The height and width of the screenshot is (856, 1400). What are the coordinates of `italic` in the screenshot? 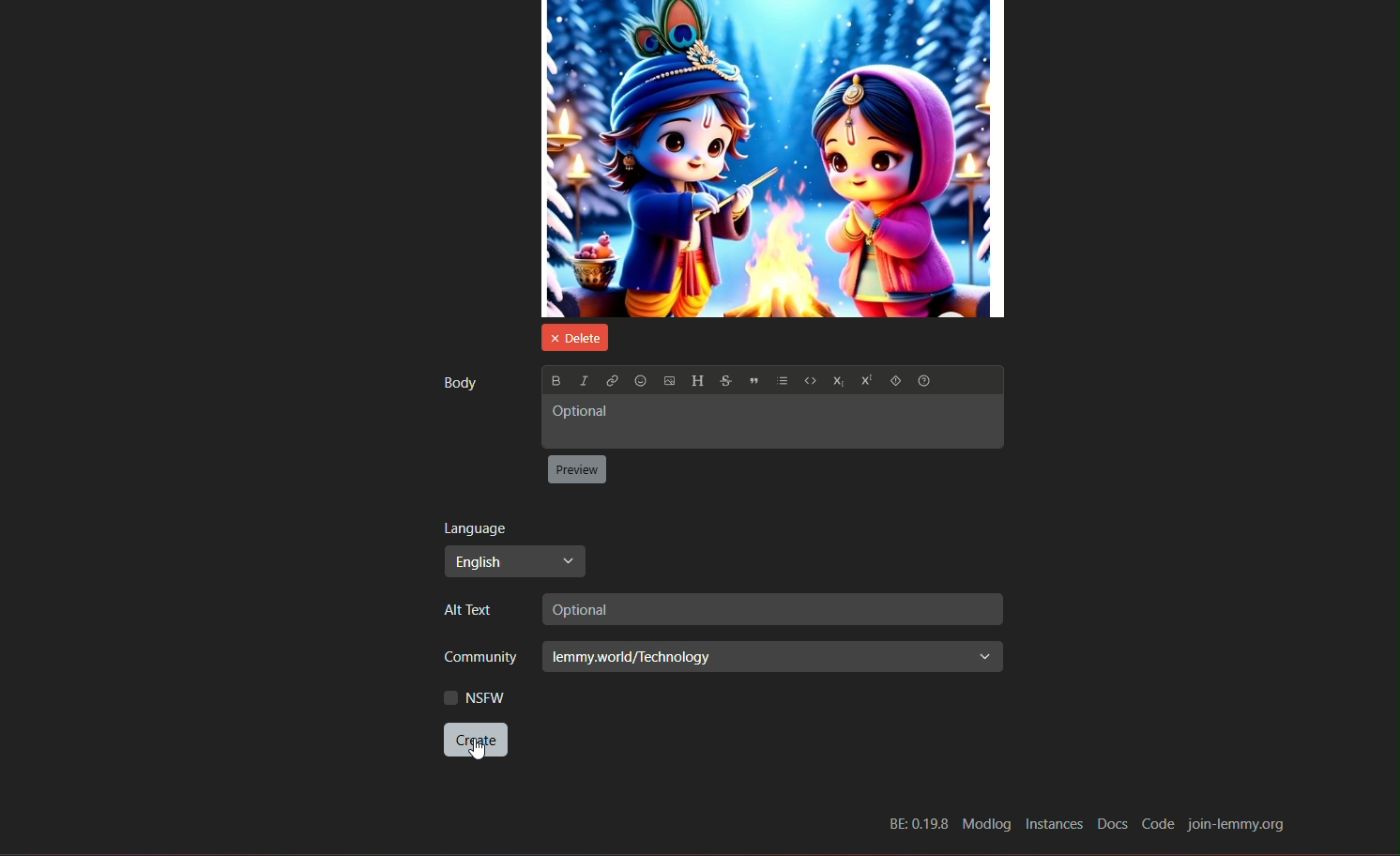 It's located at (582, 379).